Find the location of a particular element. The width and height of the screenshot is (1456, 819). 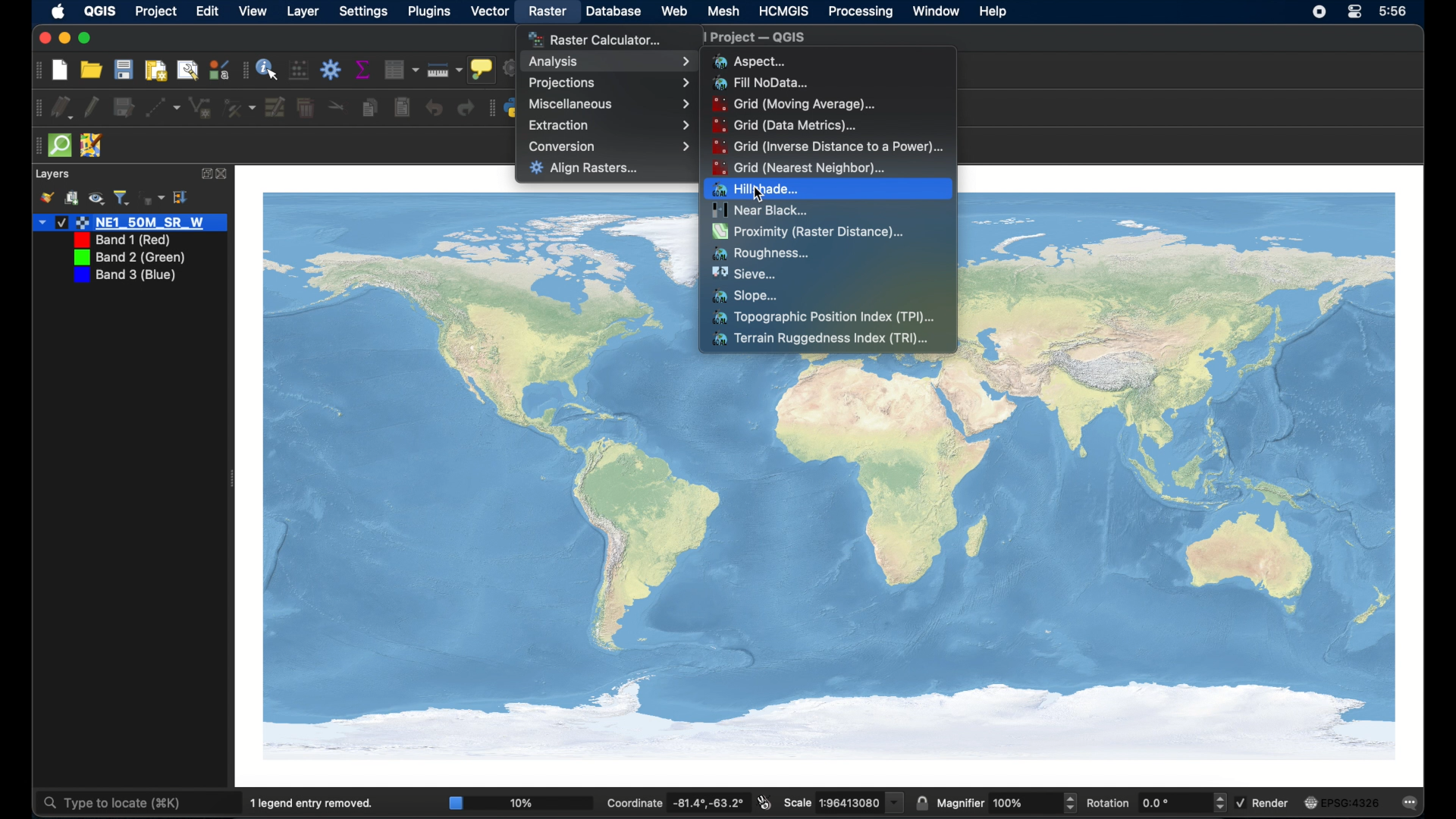

styling panel is located at coordinates (46, 199).